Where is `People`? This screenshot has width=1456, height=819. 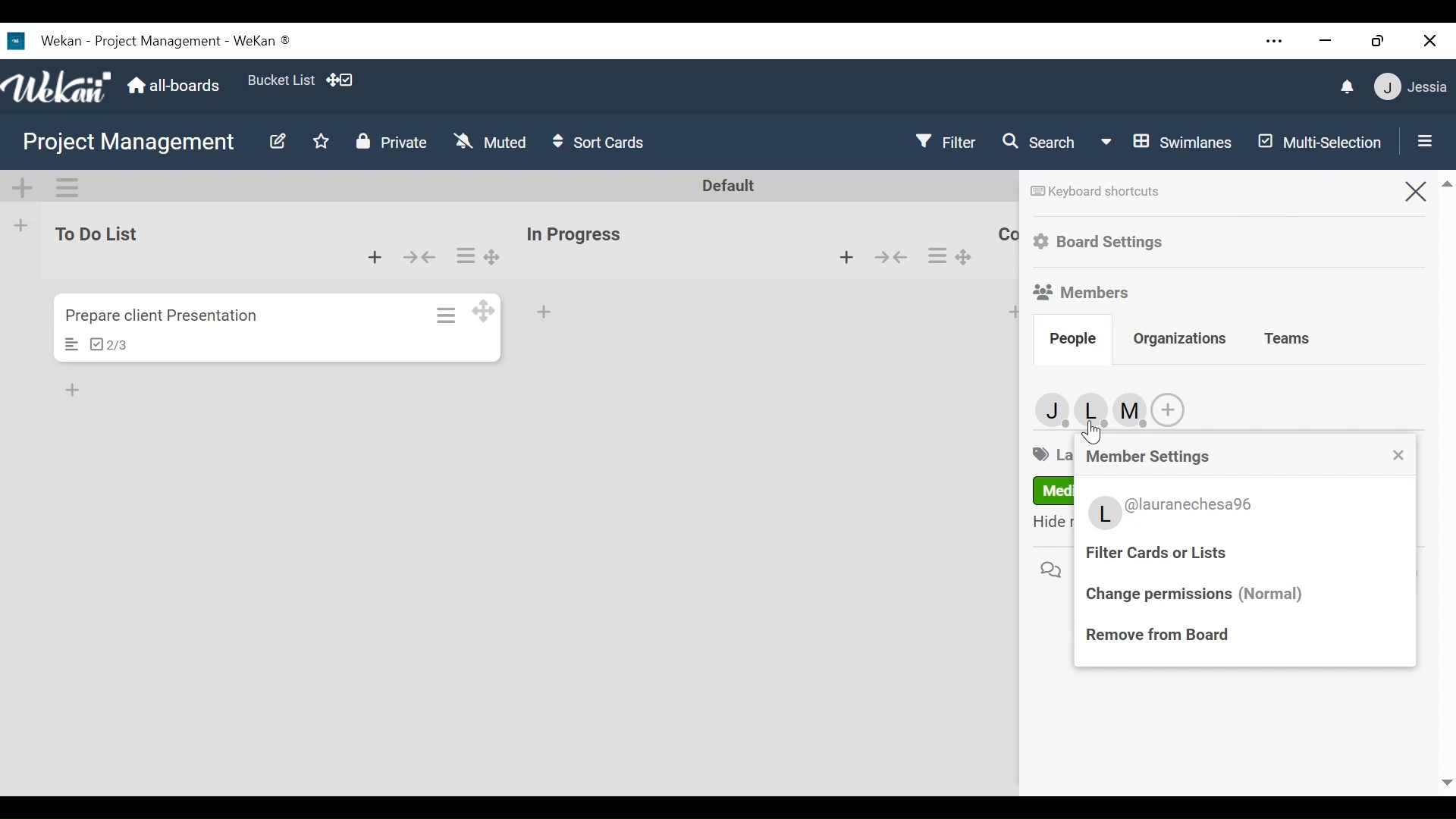 People is located at coordinates (1073, 337).